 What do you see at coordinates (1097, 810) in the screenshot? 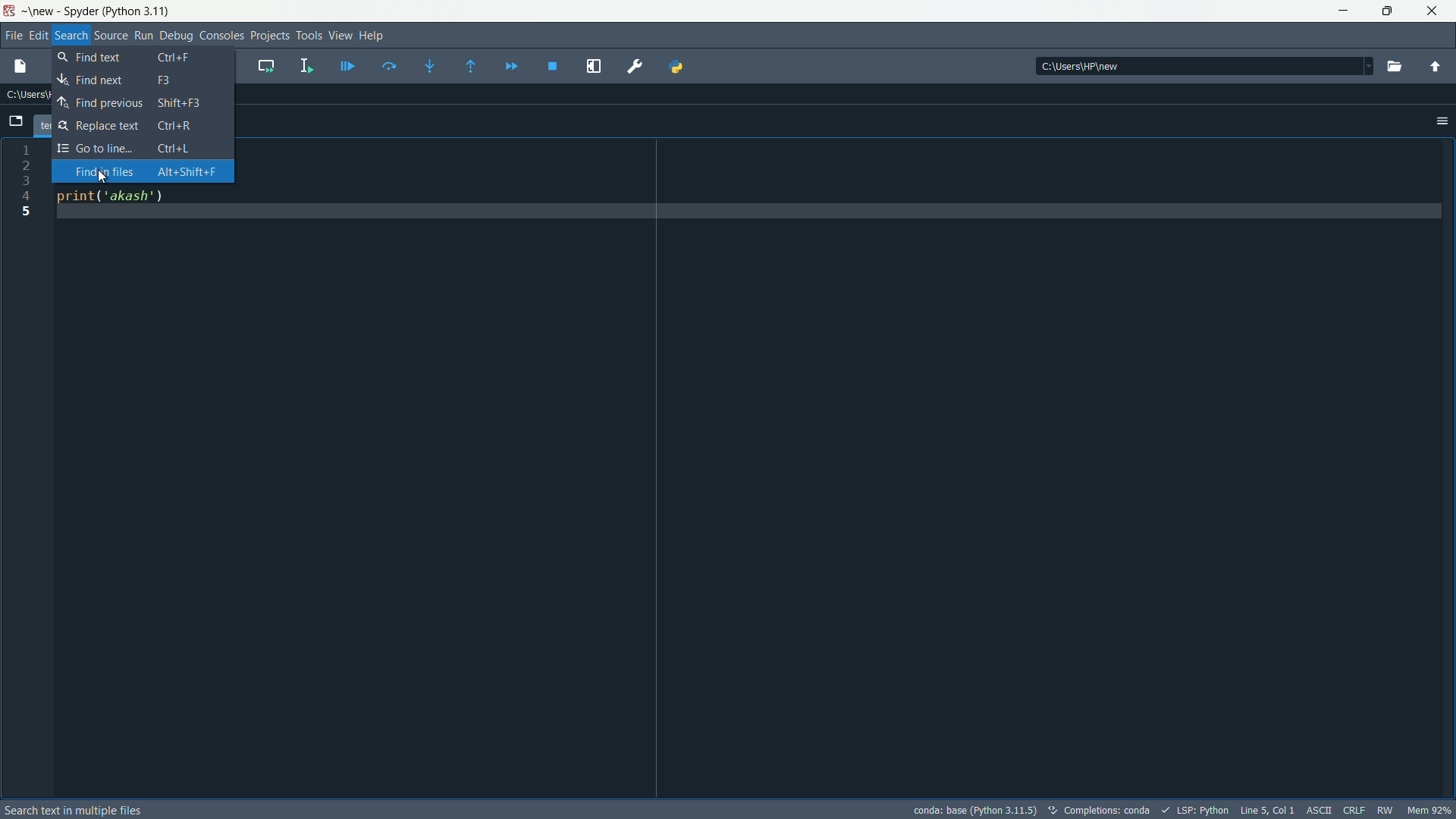
I see `text` at bounding box center [1097, 810].